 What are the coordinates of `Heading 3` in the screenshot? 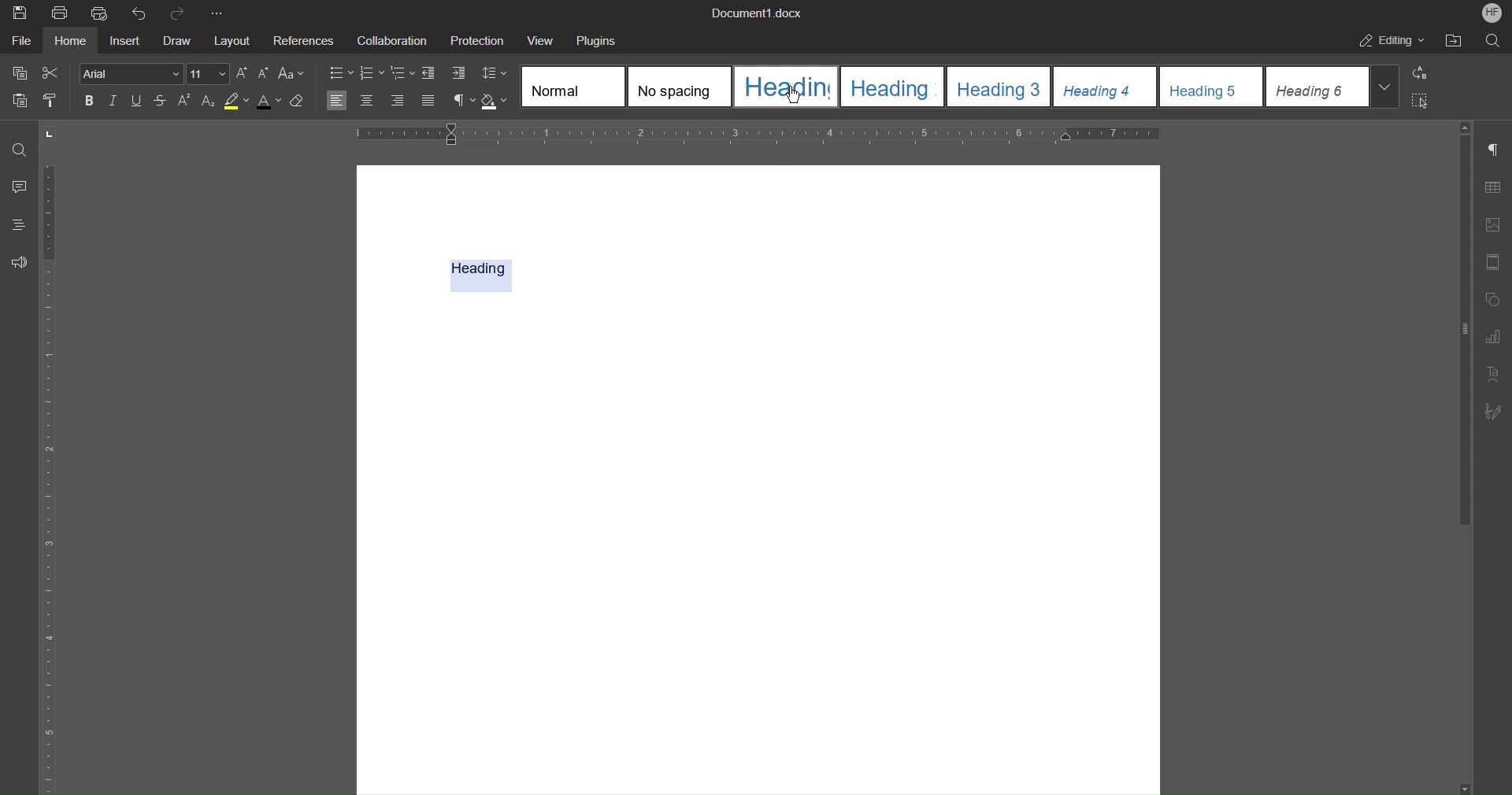 It's located at (1003, 87).